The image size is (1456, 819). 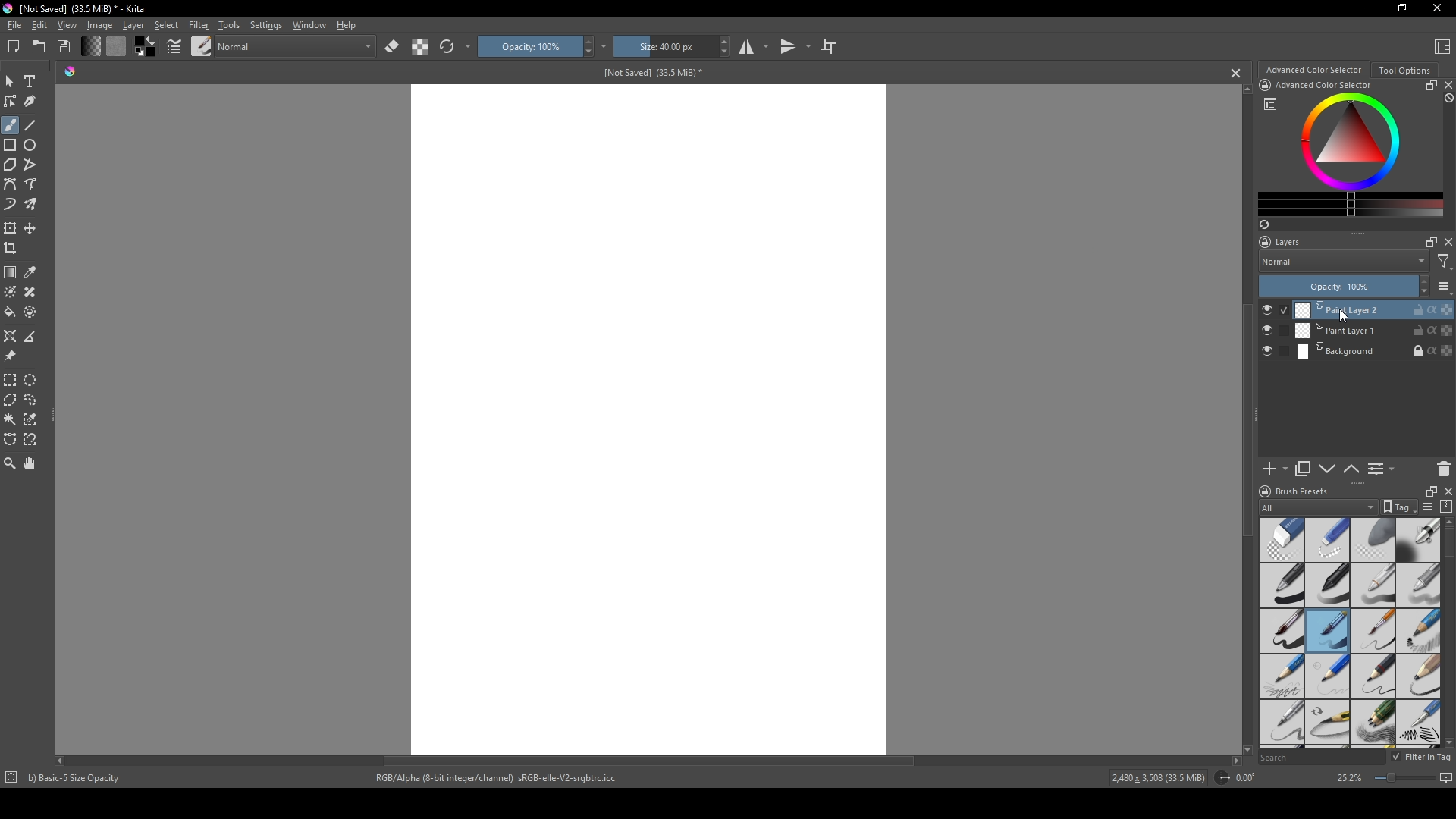 What do you see at coordinates (133, 25) in the screenshot?
I see `Layer` at bounding box center [133, 25].